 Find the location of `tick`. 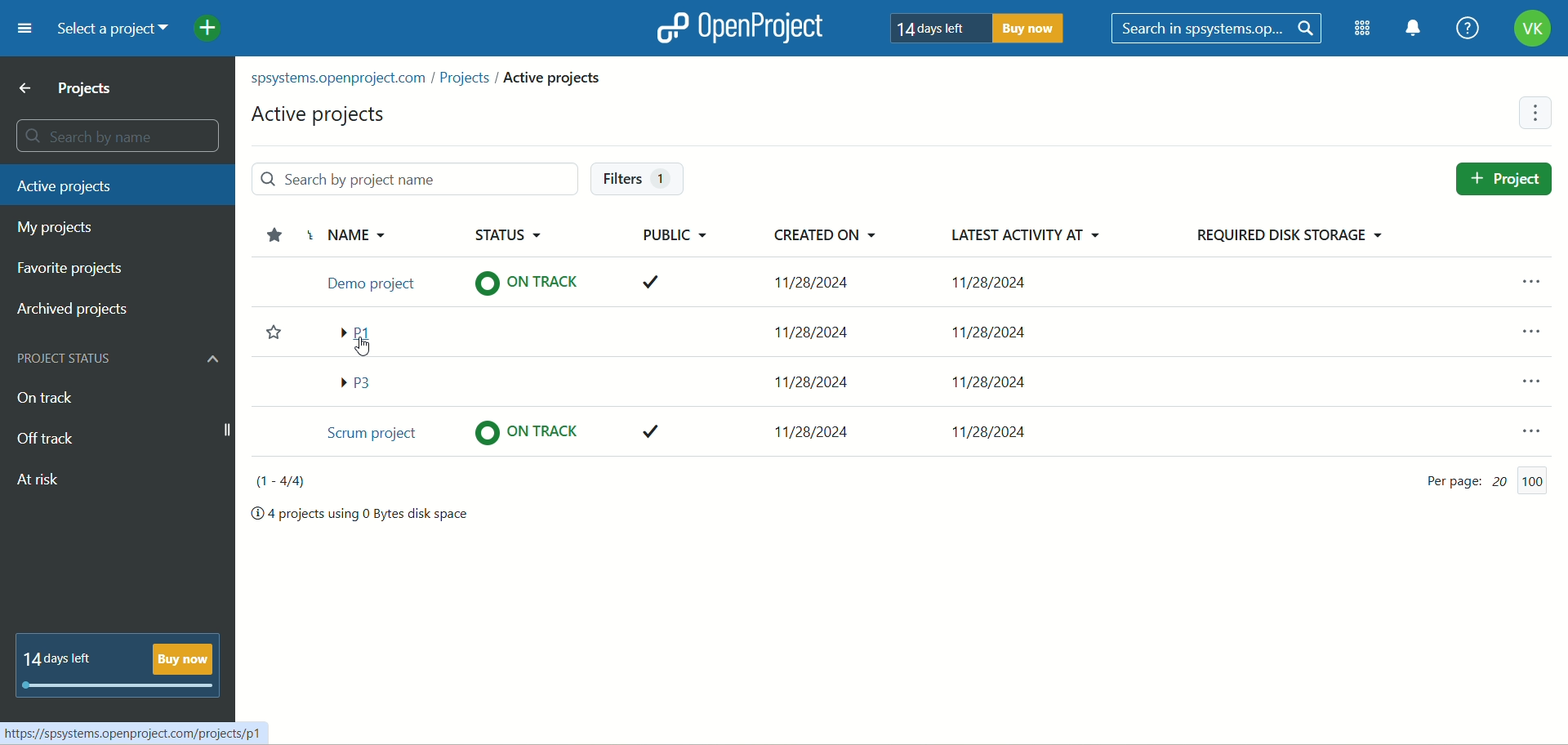

tick is located at coordinates (648, 280).